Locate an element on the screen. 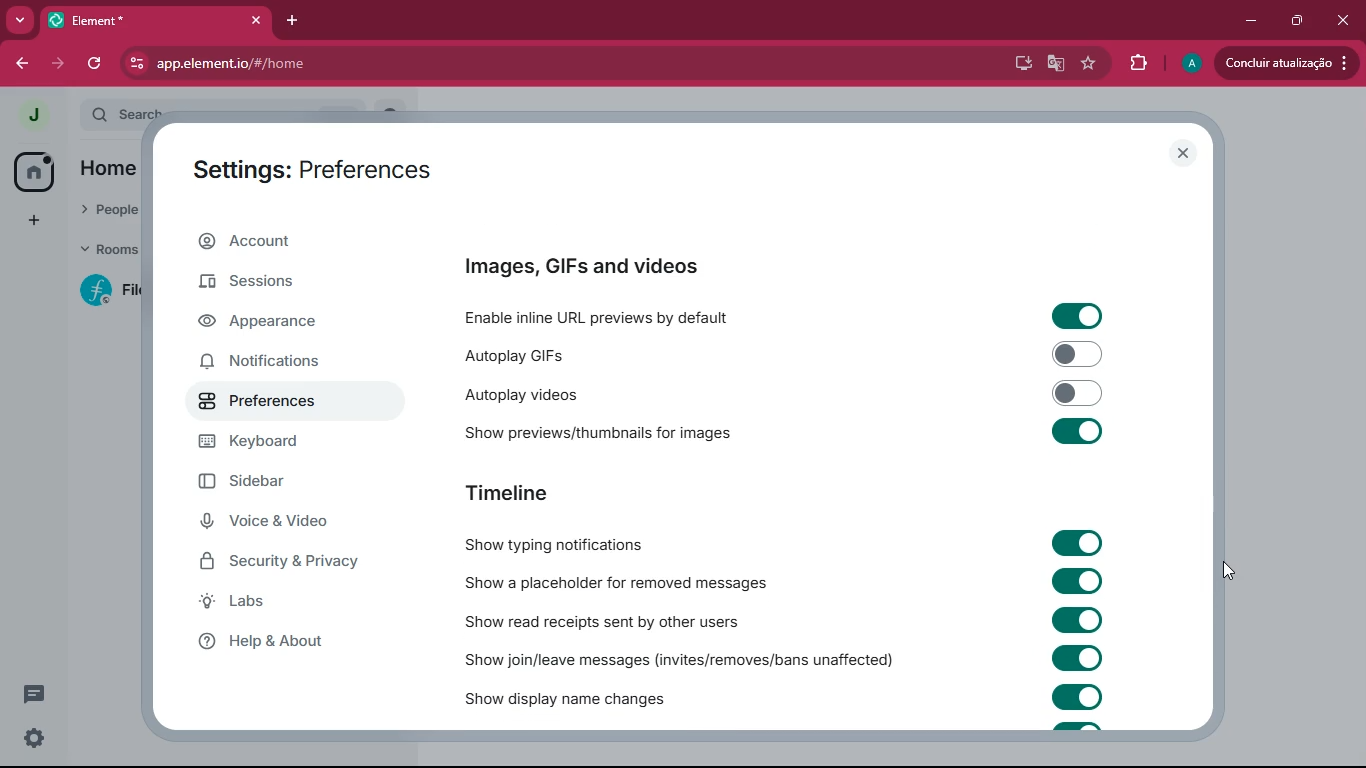 This screenshot has height=768, width=1366. profile picture is located at coordinates (33, 114).